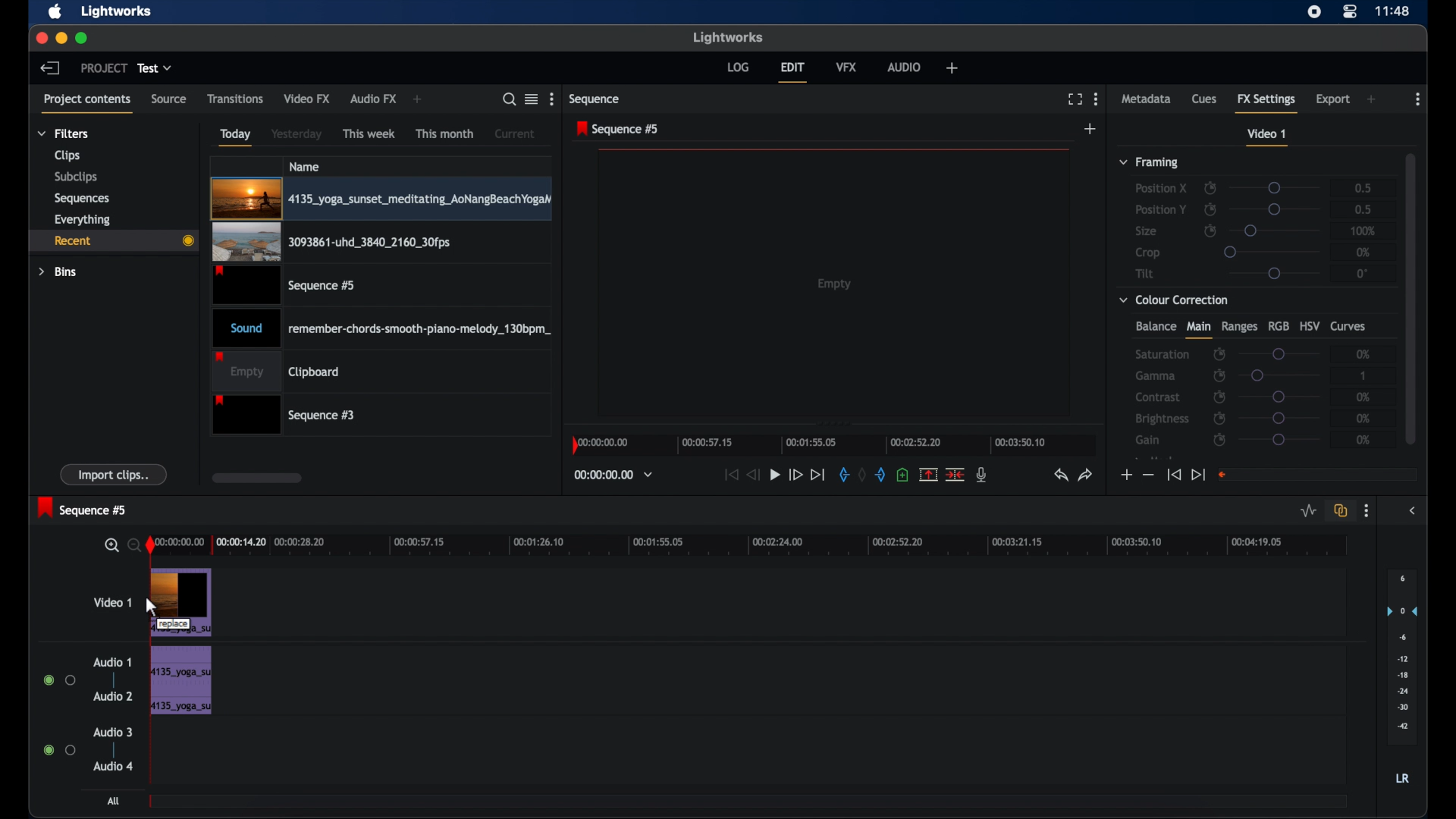 The image size is (1456, 819). What do you see at coordinates (515, 133) in the screenshot?
I see `current` at bounding box center [515, 133].